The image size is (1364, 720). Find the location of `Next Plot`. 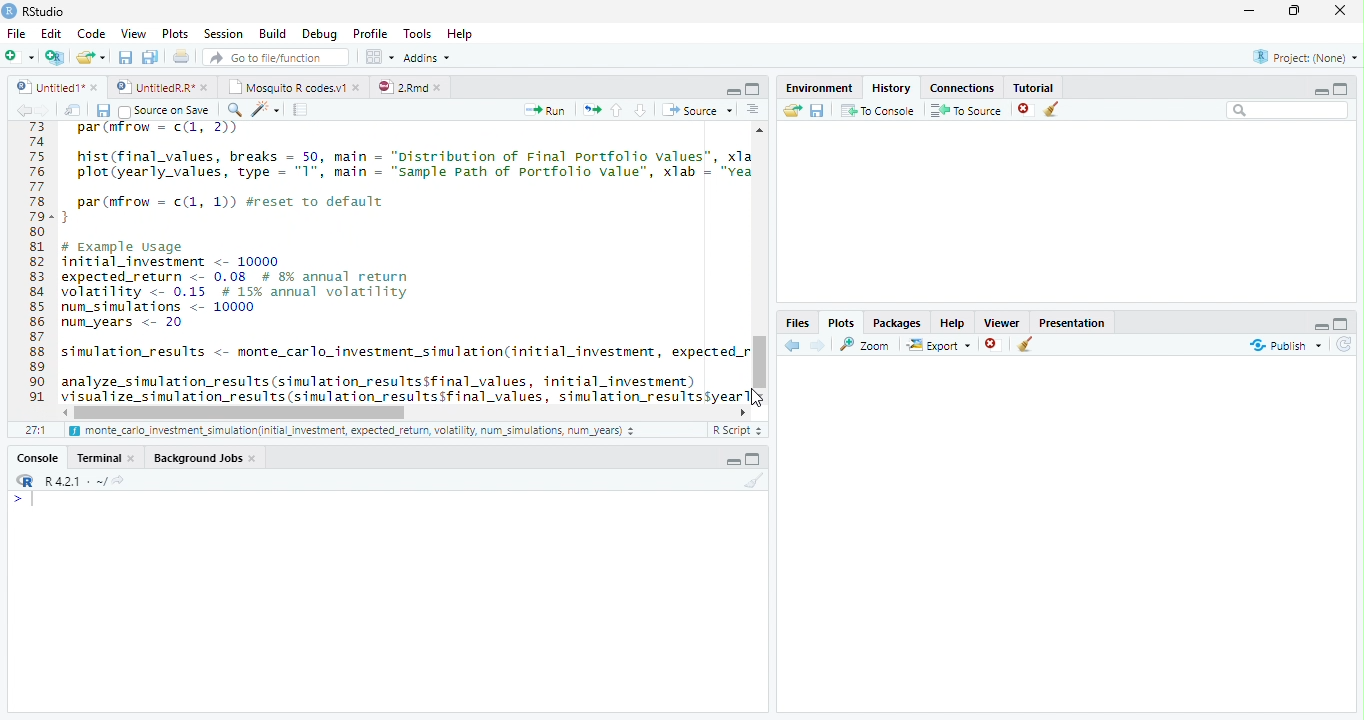

Next Plot is located at coordinates (818, 345).